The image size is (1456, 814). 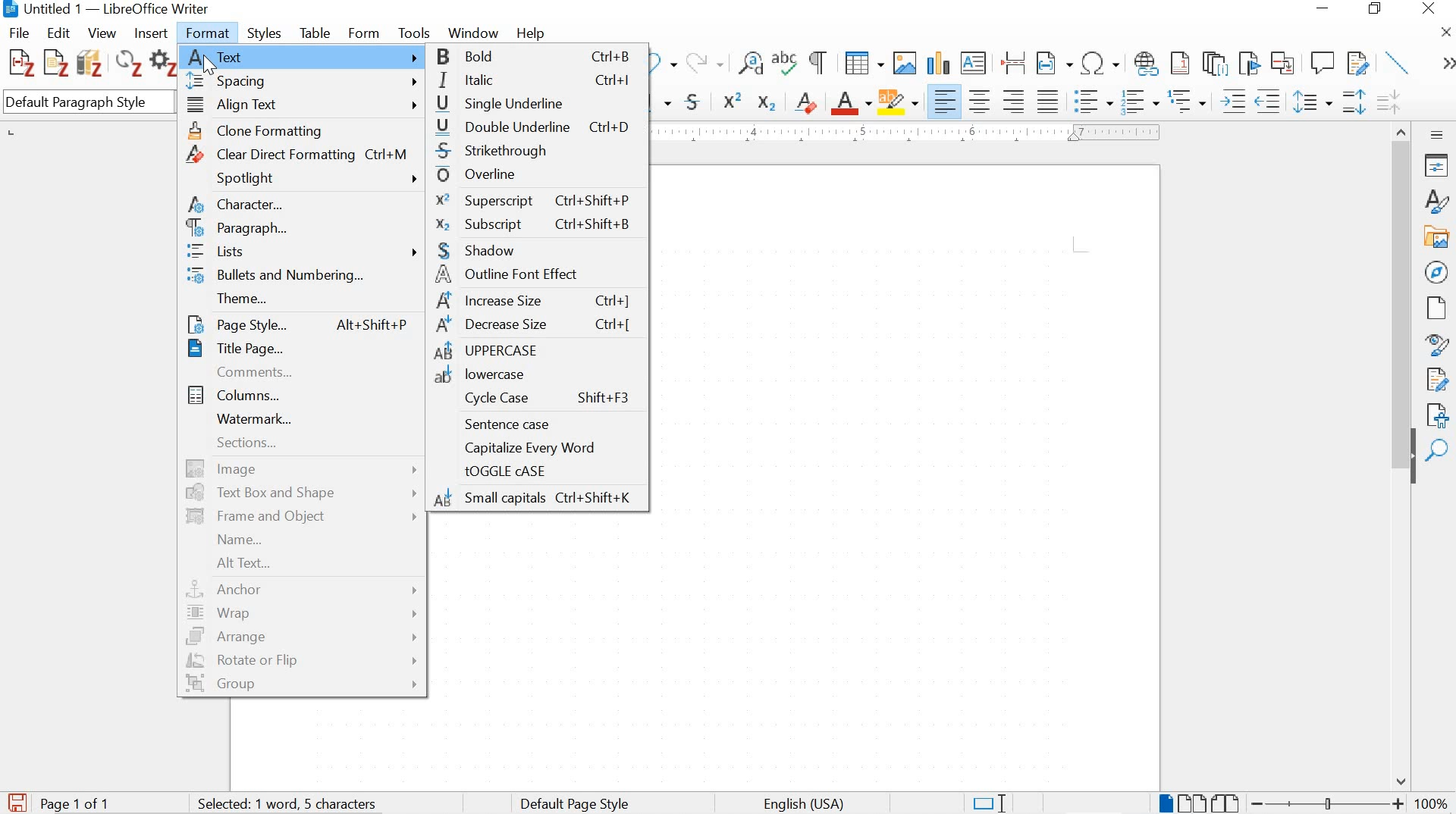 I want to click on anchor, so click(x=304, y=589).